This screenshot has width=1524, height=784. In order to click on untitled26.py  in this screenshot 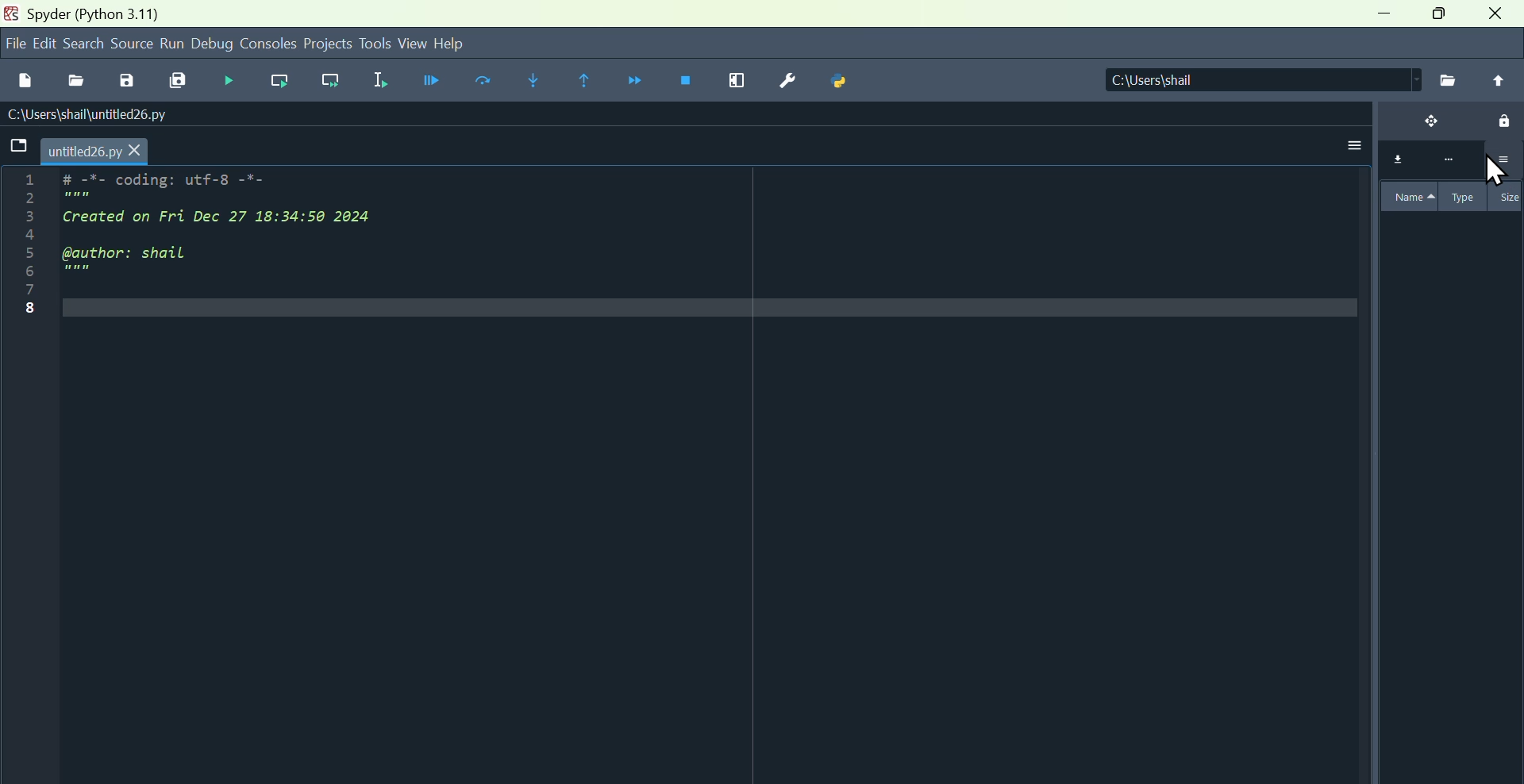, I will do `click(99, 151)`.